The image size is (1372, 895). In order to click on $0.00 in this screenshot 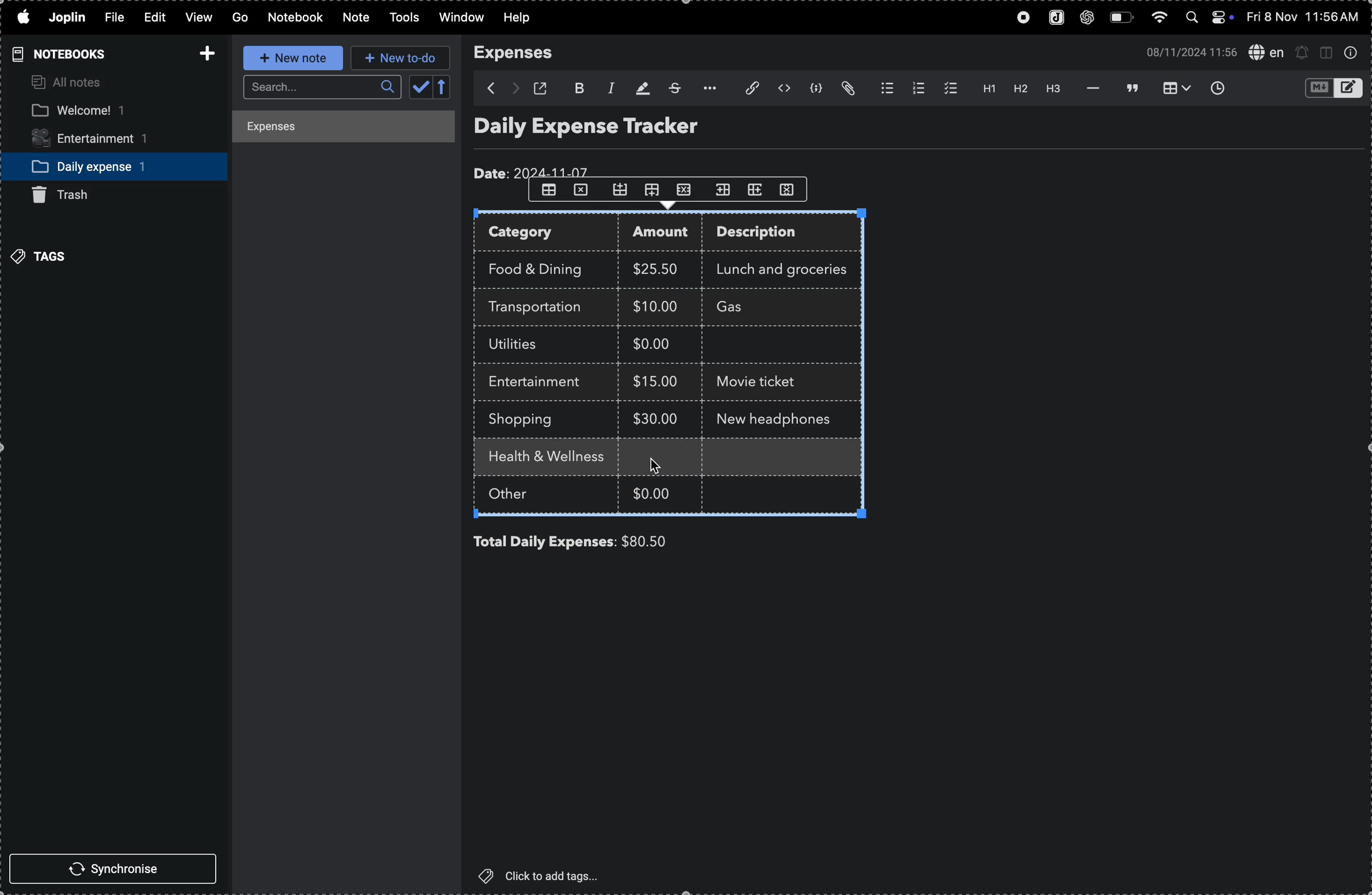, I will do `click(654, 491)`.